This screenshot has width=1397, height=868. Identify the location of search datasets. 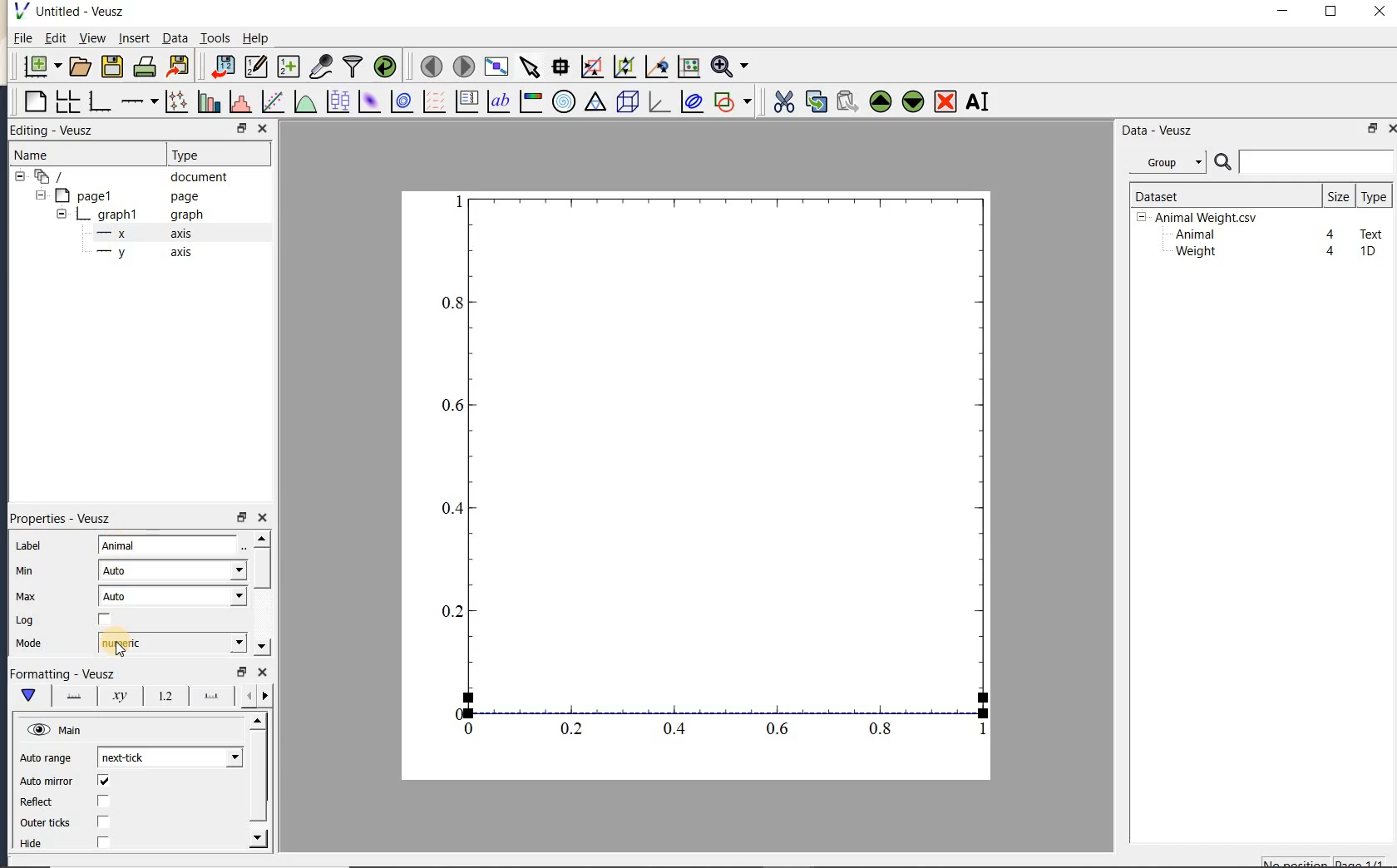
(1304, 162).